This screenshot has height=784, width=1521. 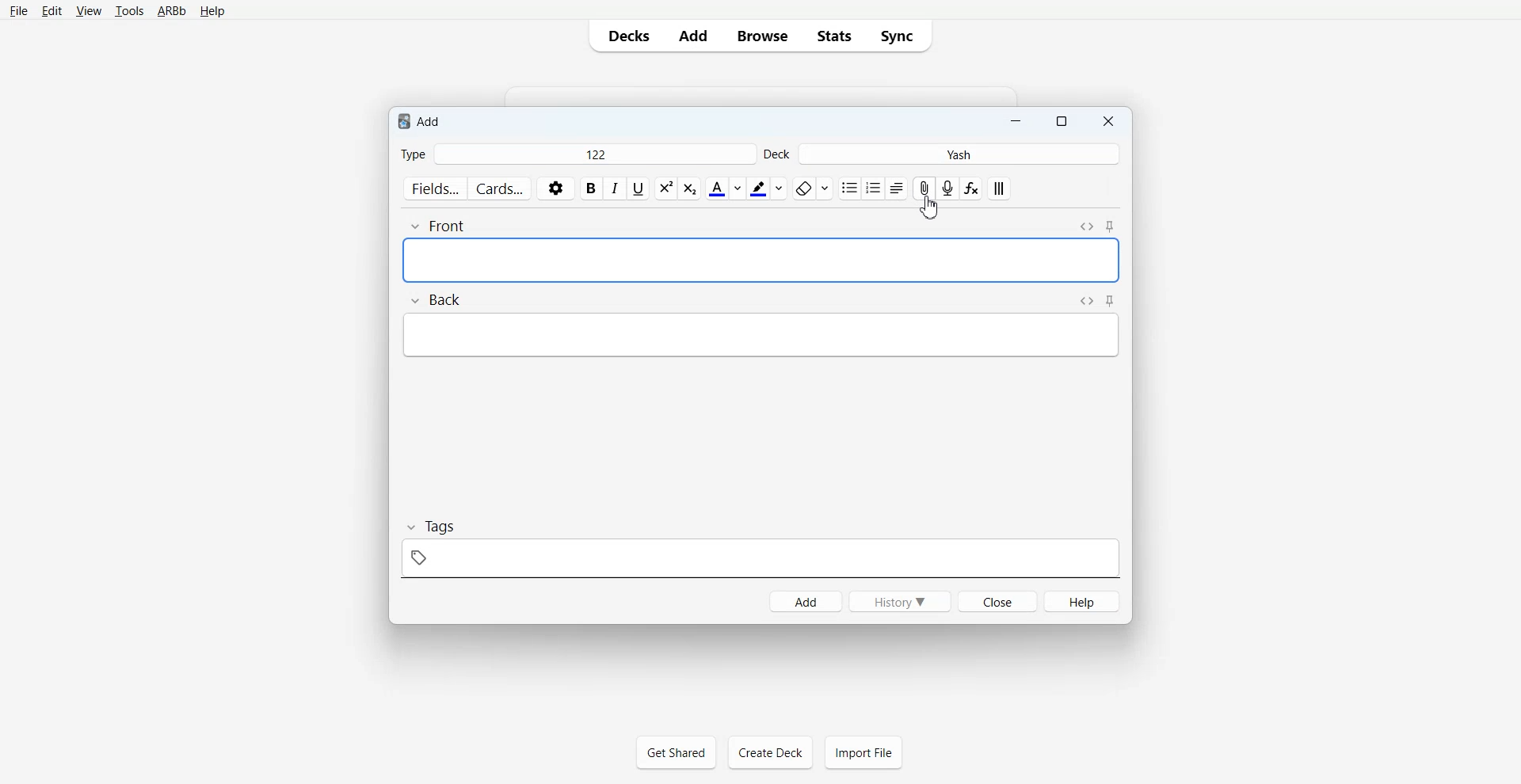 I want to click on Help, so click(x=1082, y=601).